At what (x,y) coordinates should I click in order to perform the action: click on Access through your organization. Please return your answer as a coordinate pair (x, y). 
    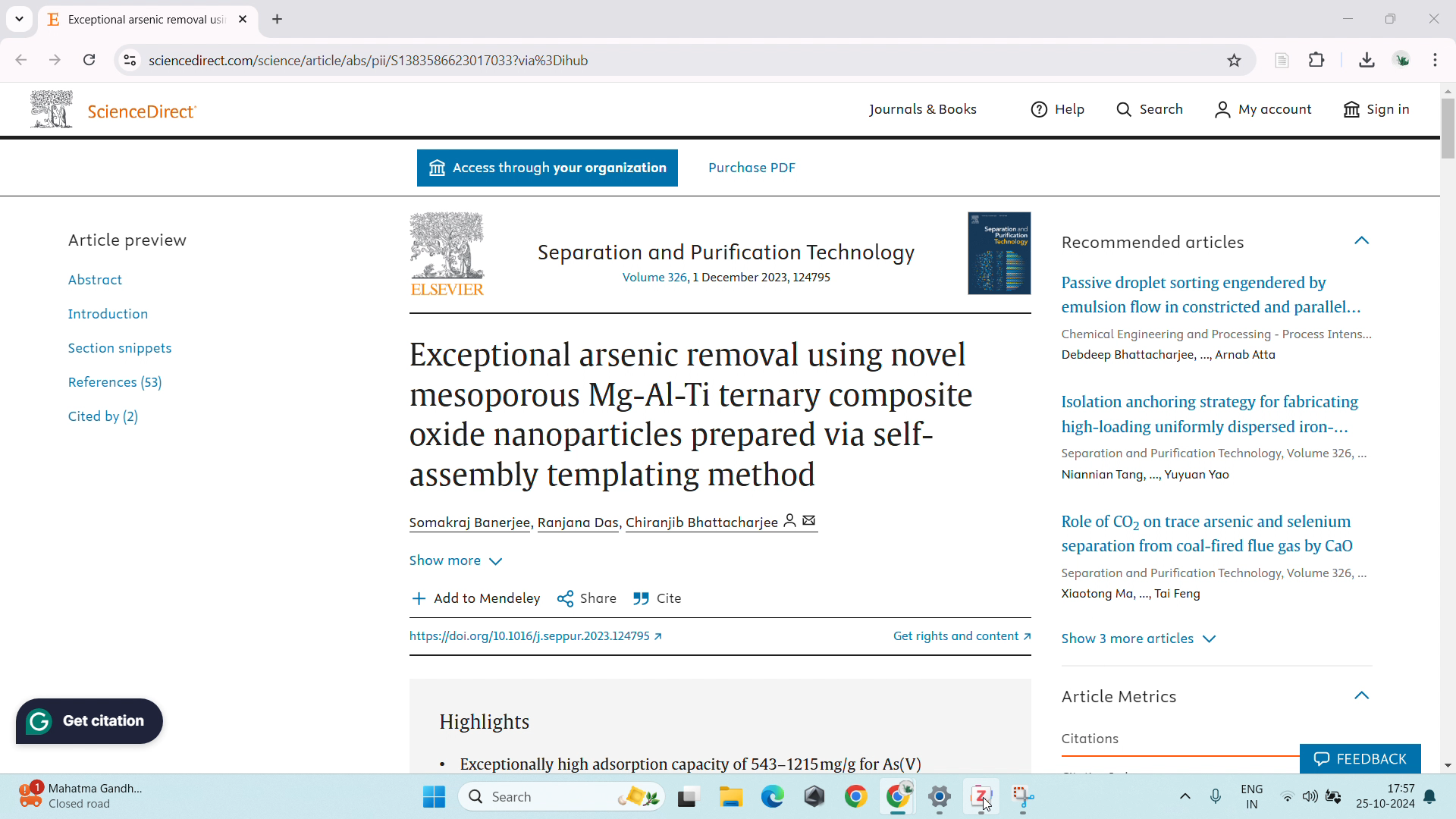
    Looking at the image, I should click on (547, 169).